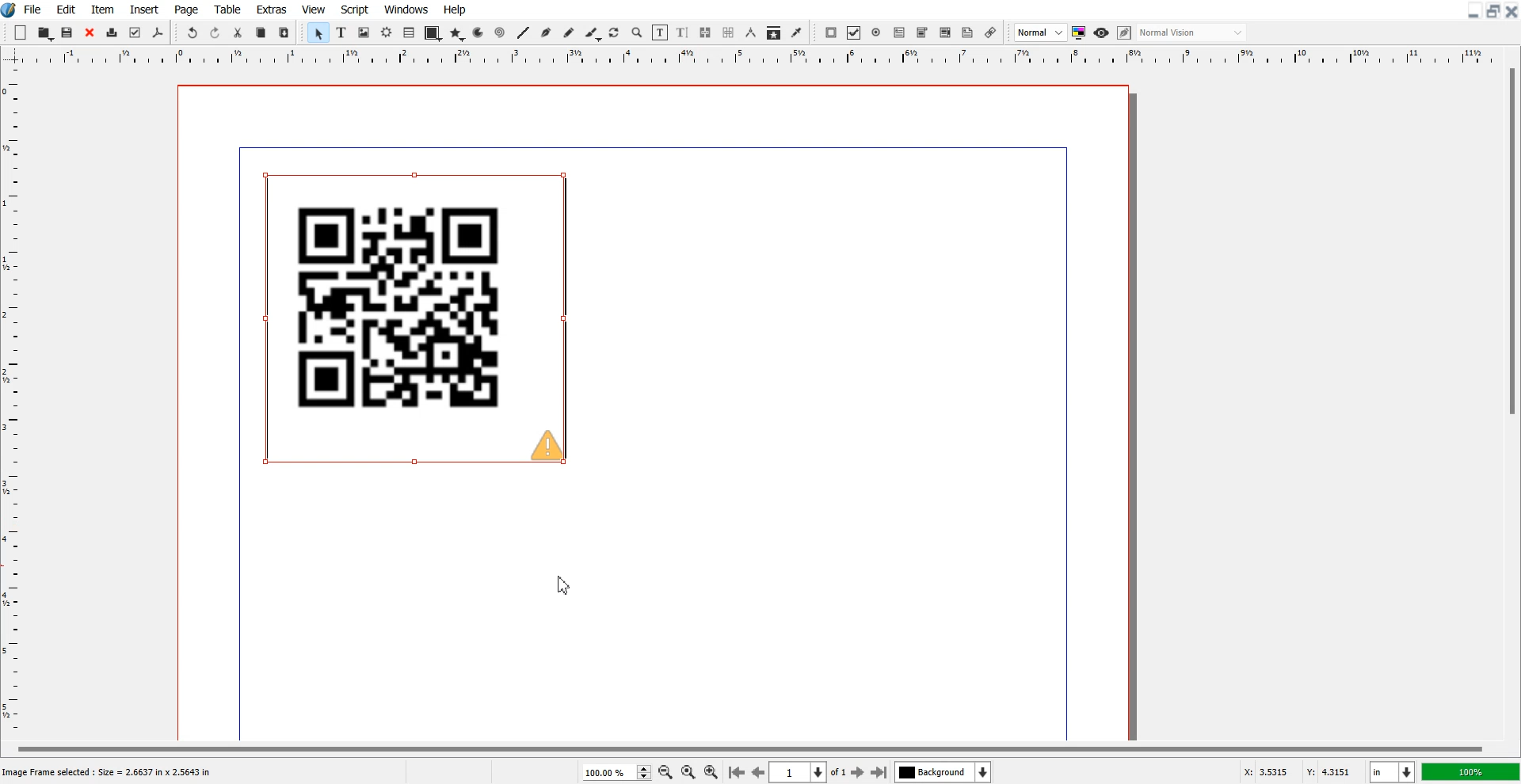  What do you see at coordinates (991, 32) in the screenshot?
I see `Link Annotation` at bounding box center [991, 32].